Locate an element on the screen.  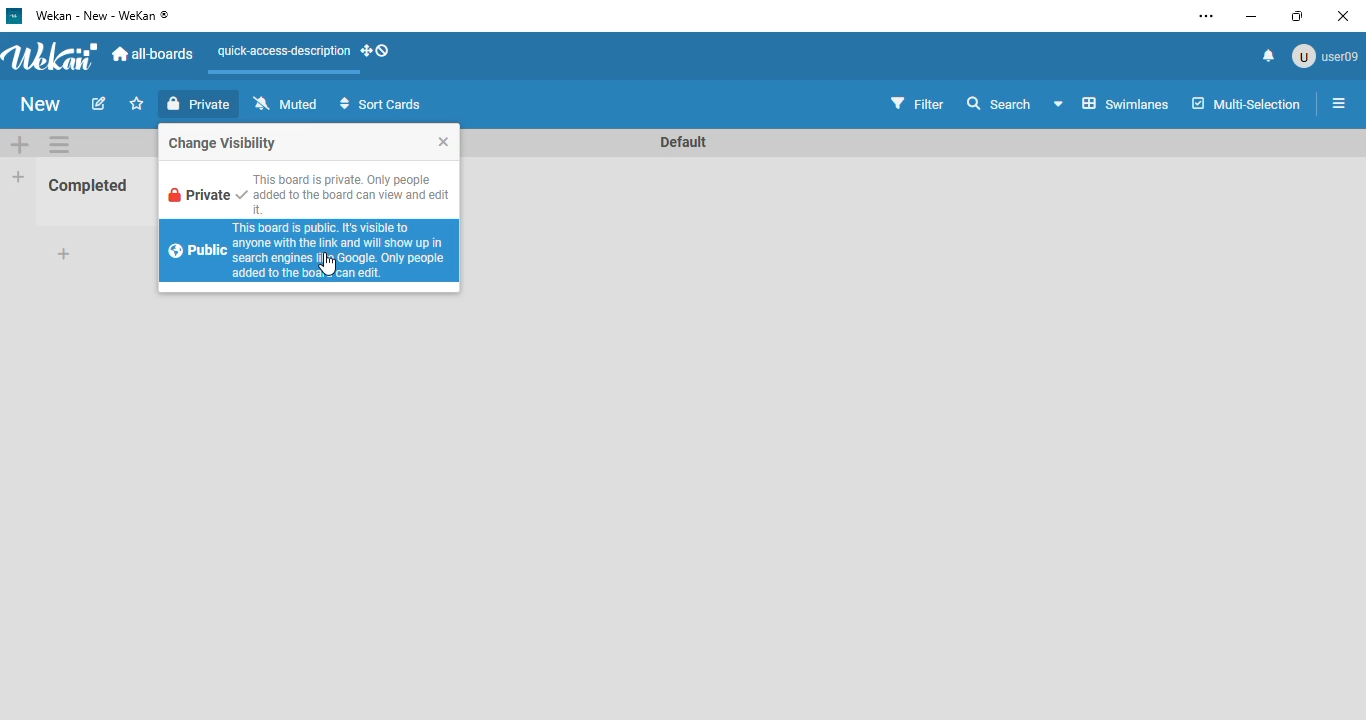
swimlane name is located at coordinates (680, 142).